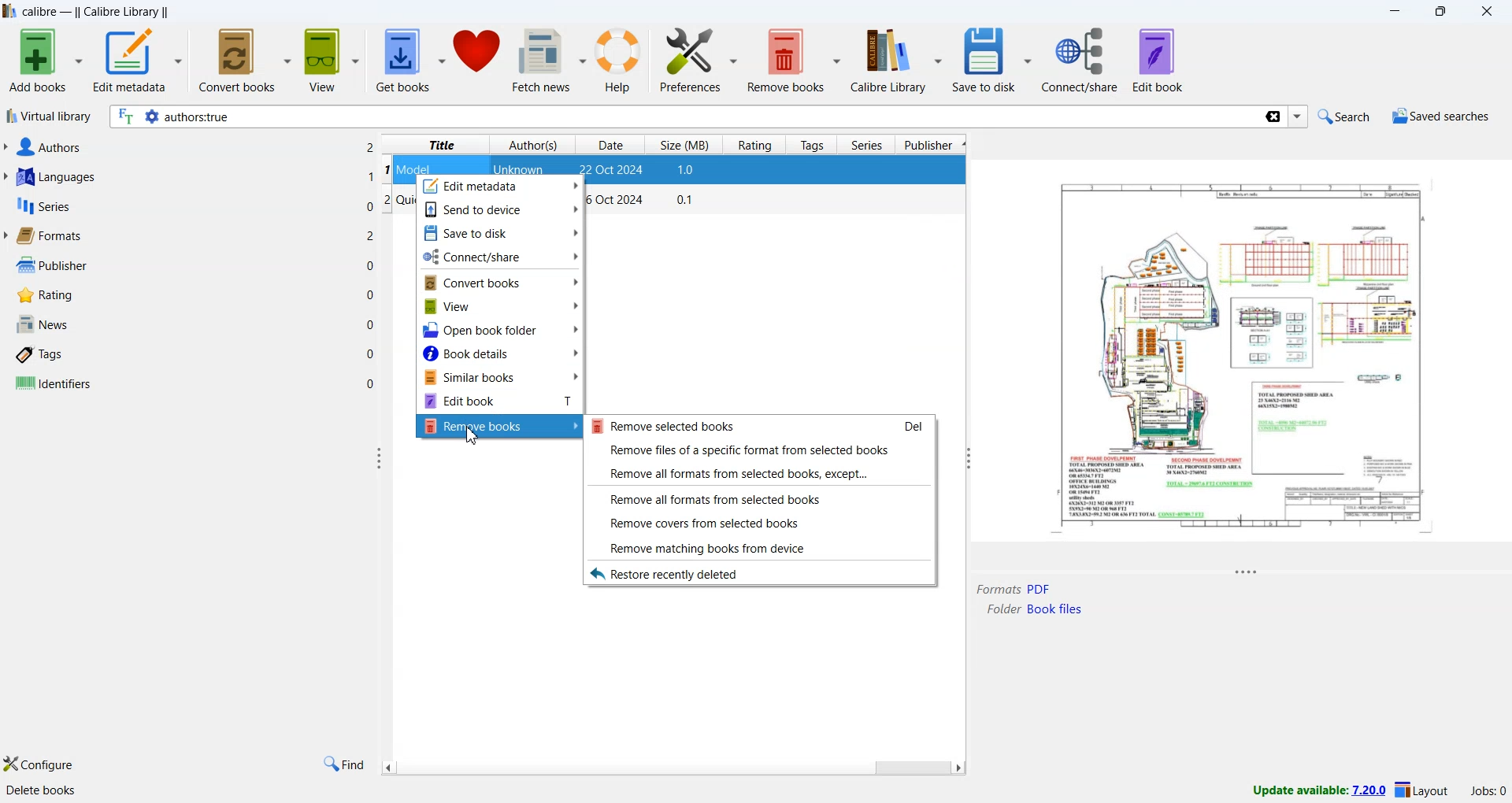  I want to click on date, so click(610, 145).